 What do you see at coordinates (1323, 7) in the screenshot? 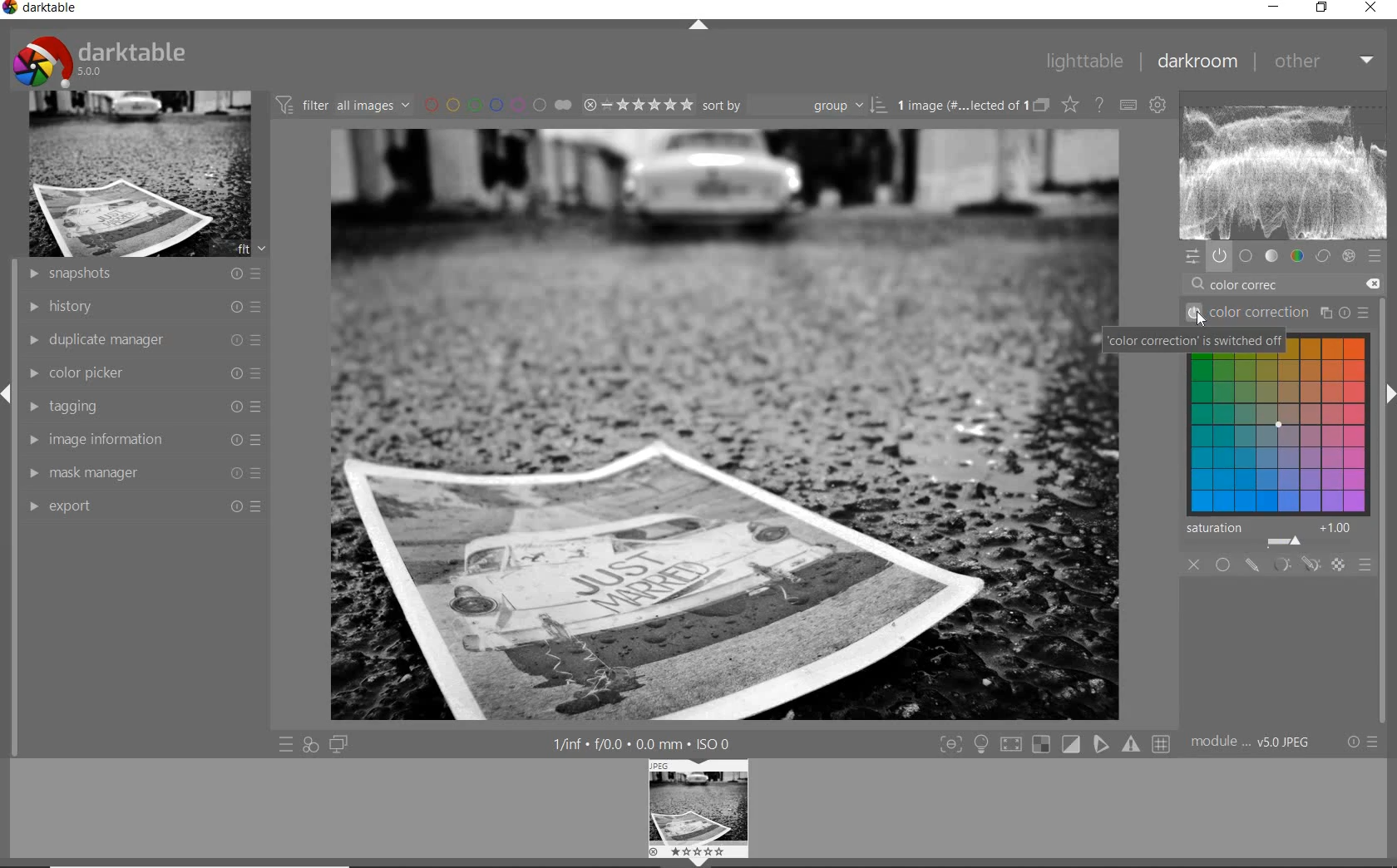
I see `restore` at bounding box center [1323, 7].